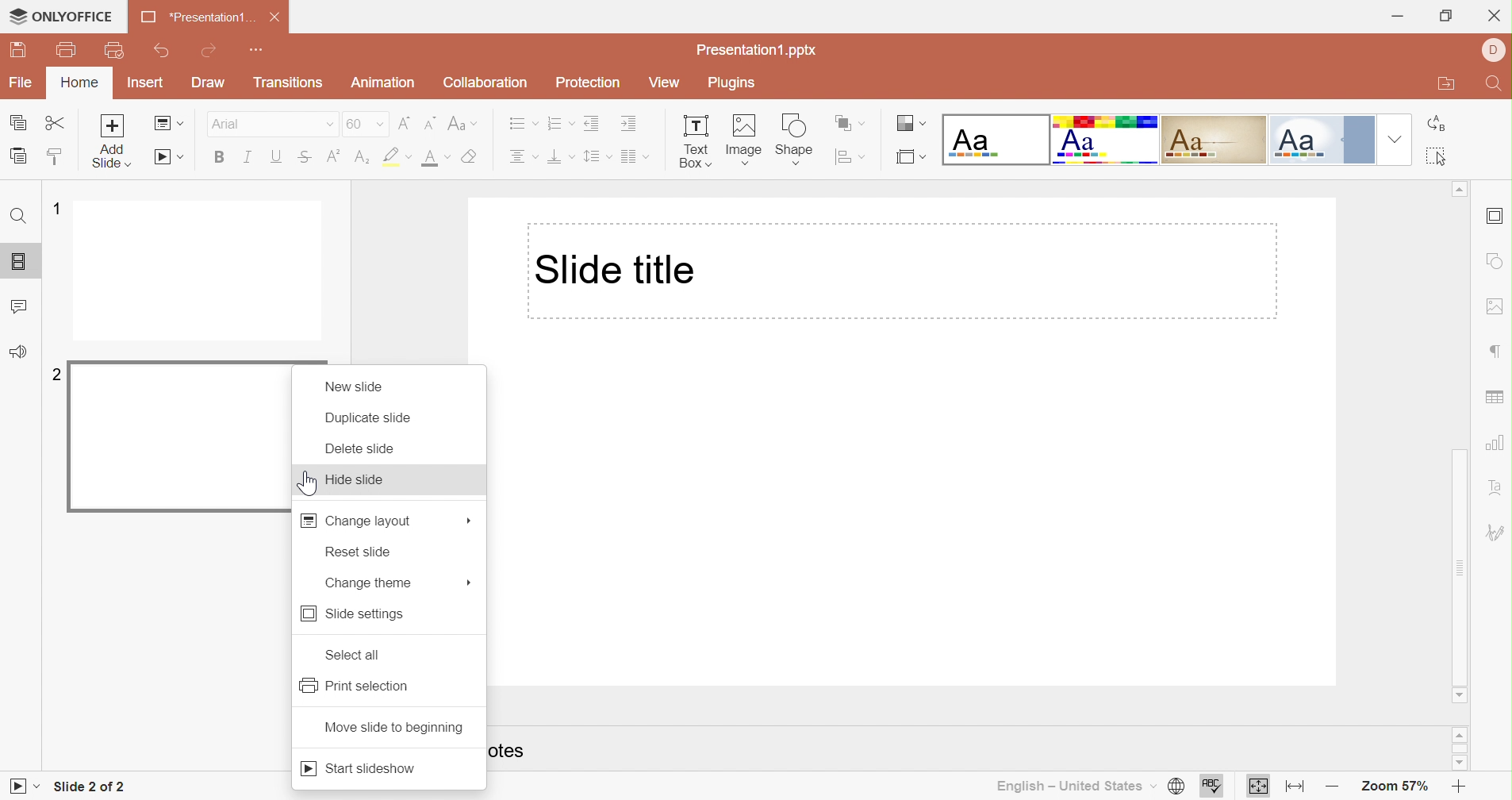  Describe the element at coordinates (365, 552) in the screenshot. I see `Reserved seats` at that location.